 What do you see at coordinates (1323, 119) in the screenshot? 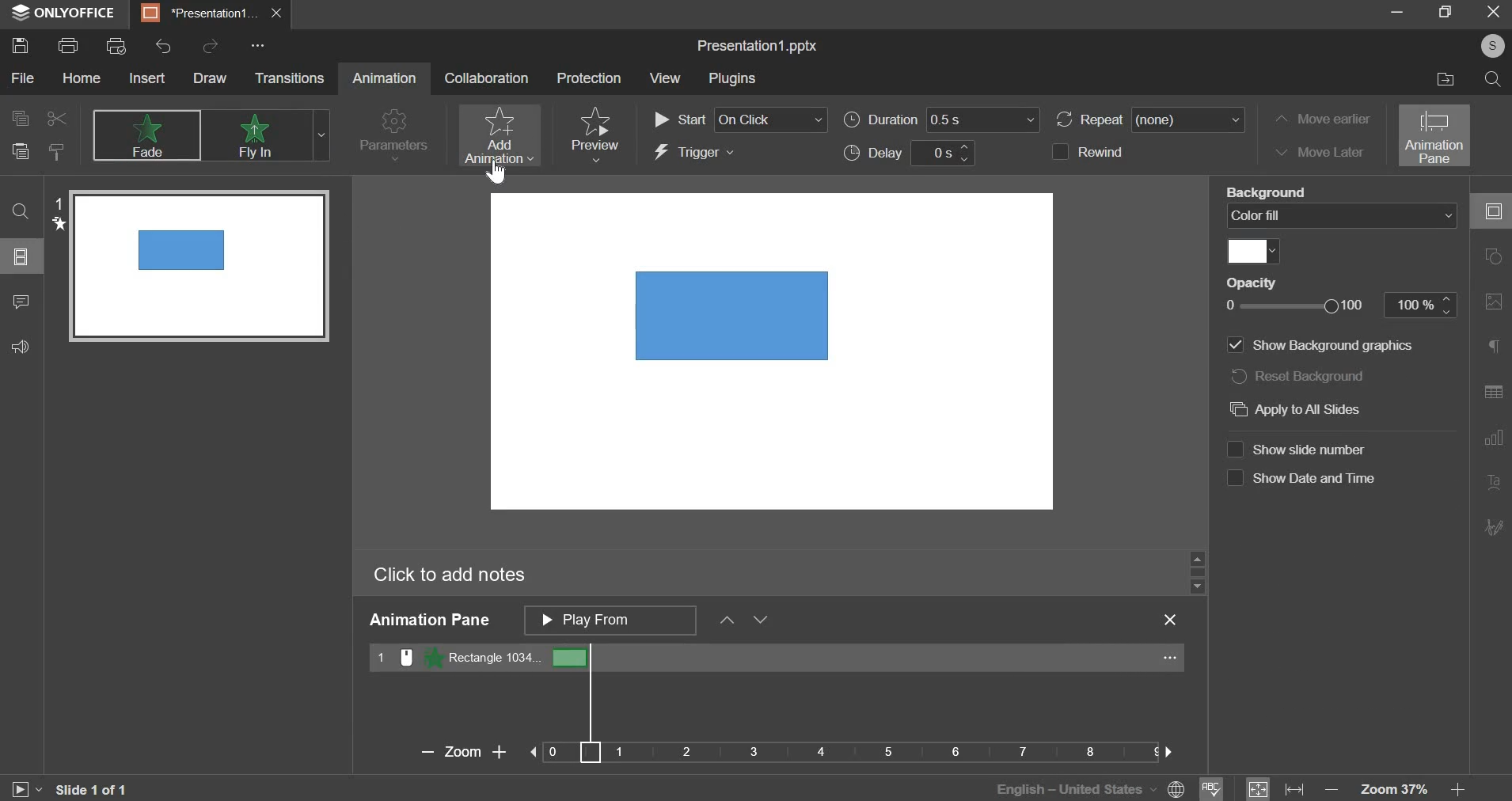
I see `move earlier` at bounding box center [1323, 119].